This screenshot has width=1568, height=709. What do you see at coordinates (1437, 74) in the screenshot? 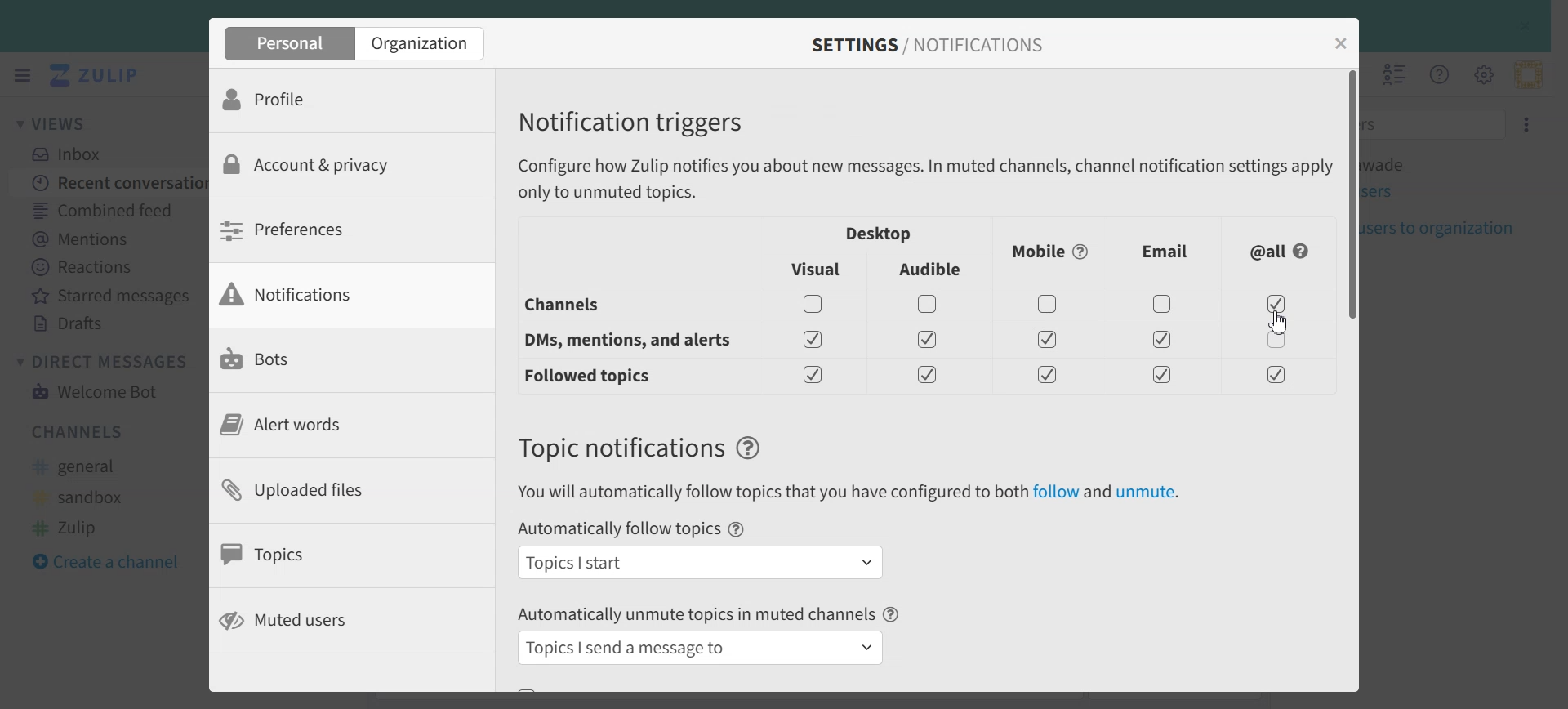
I see `Help Menu` at bounding box center [1437, 74].